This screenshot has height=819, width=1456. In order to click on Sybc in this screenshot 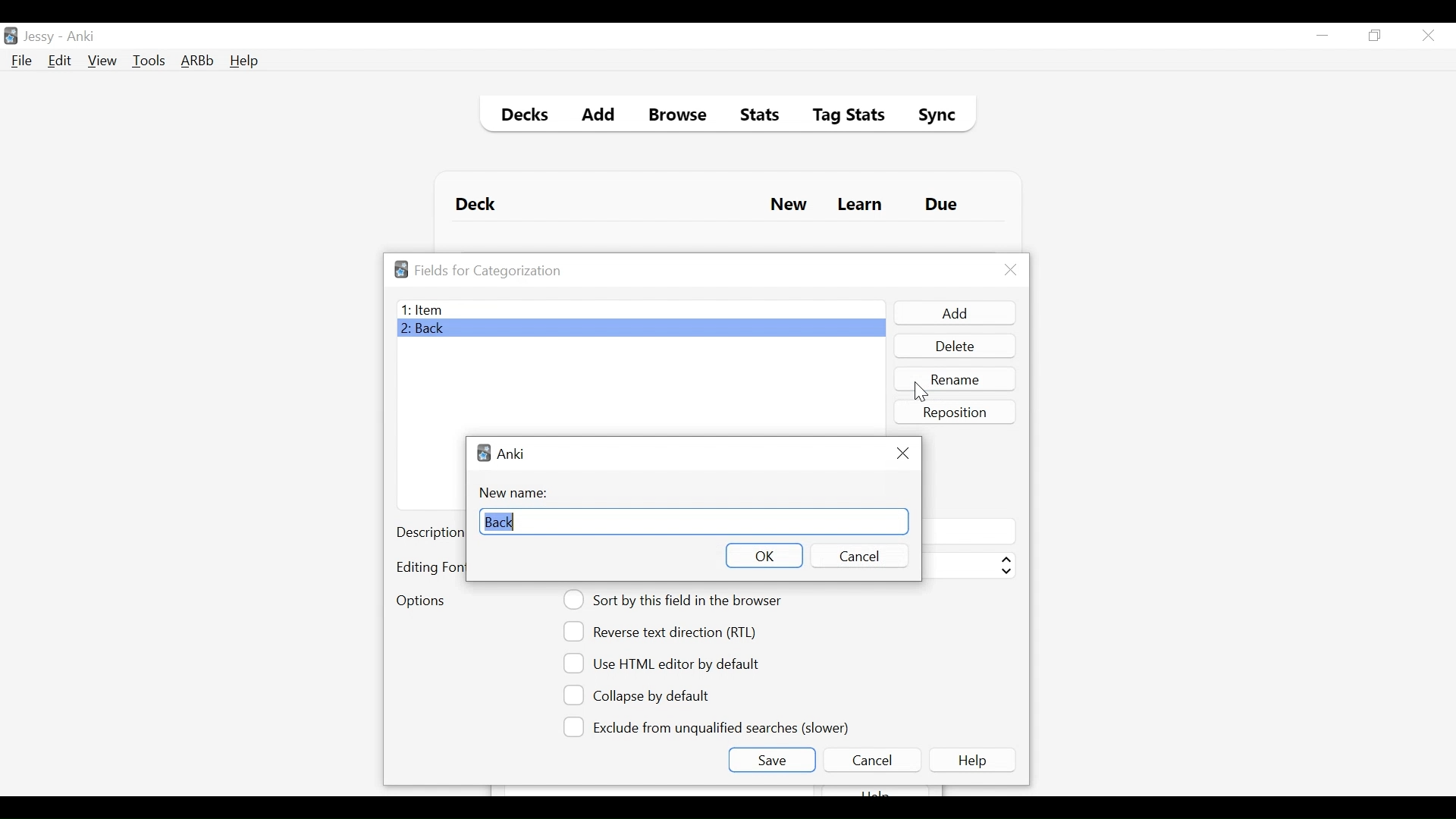, I will do `click(931, 117)`.